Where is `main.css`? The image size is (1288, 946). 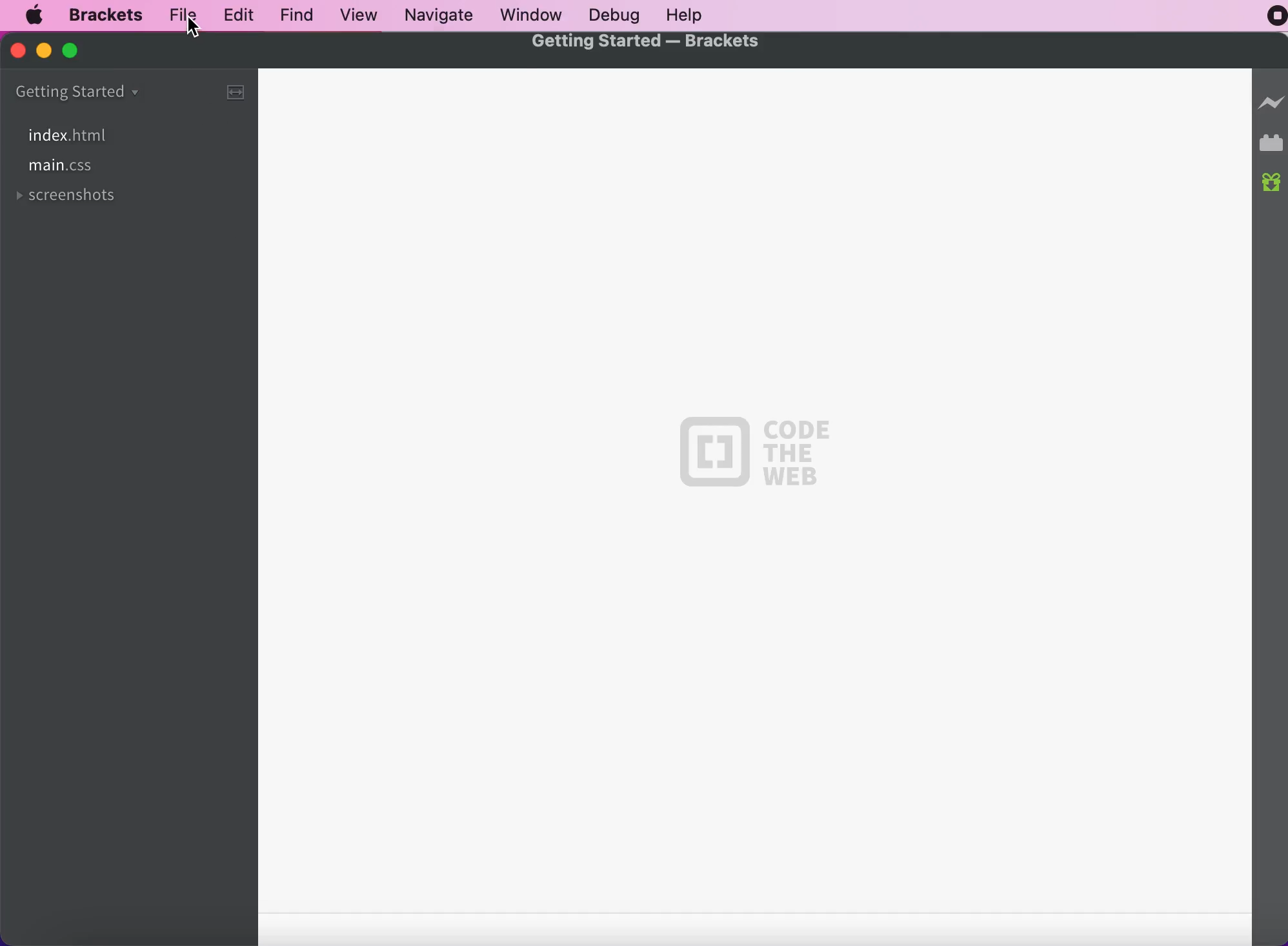 main.css is located at coordinates (62, 167).